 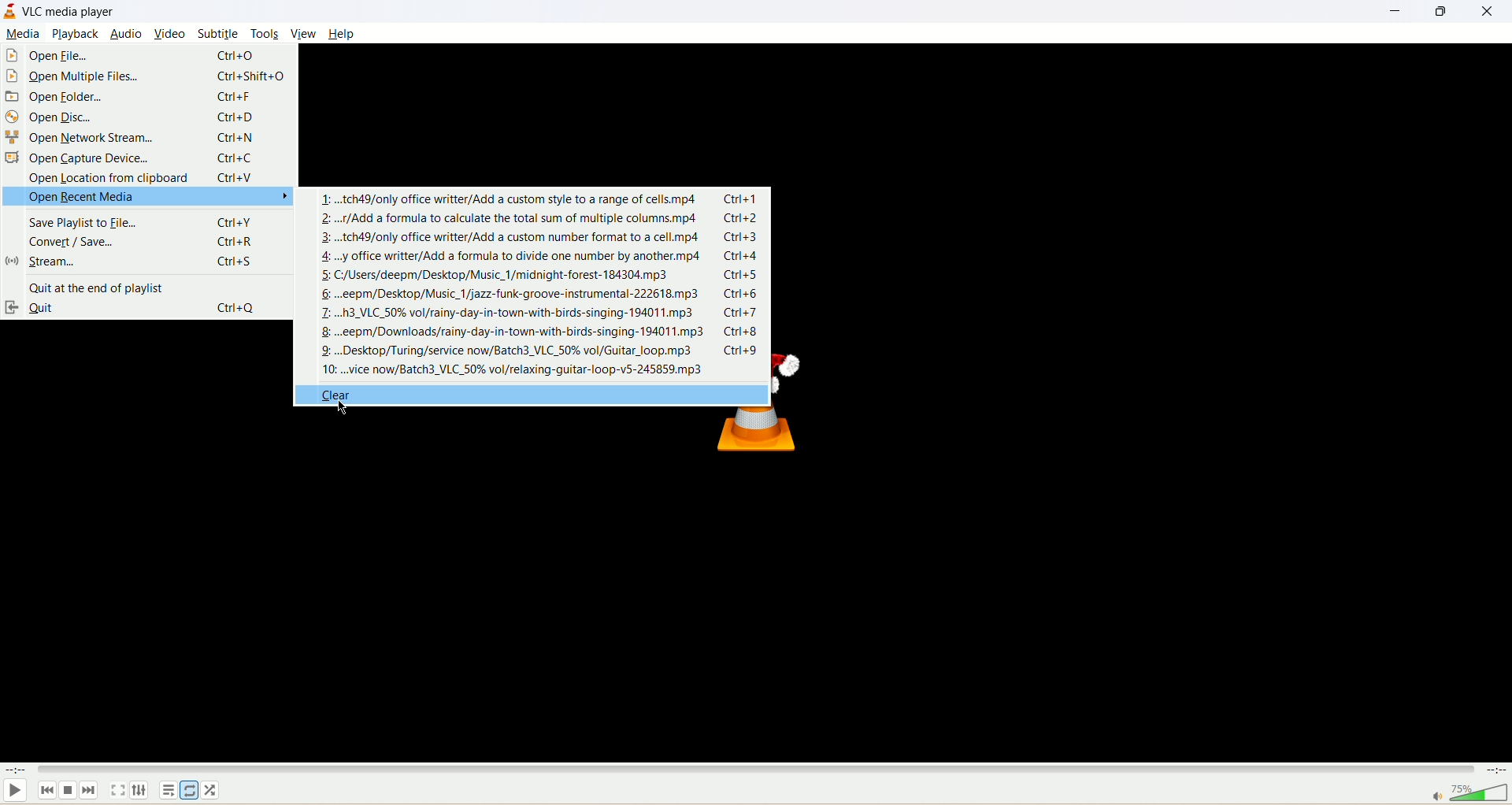 I want to click on open multiple file..., so click(x=75, y=76).